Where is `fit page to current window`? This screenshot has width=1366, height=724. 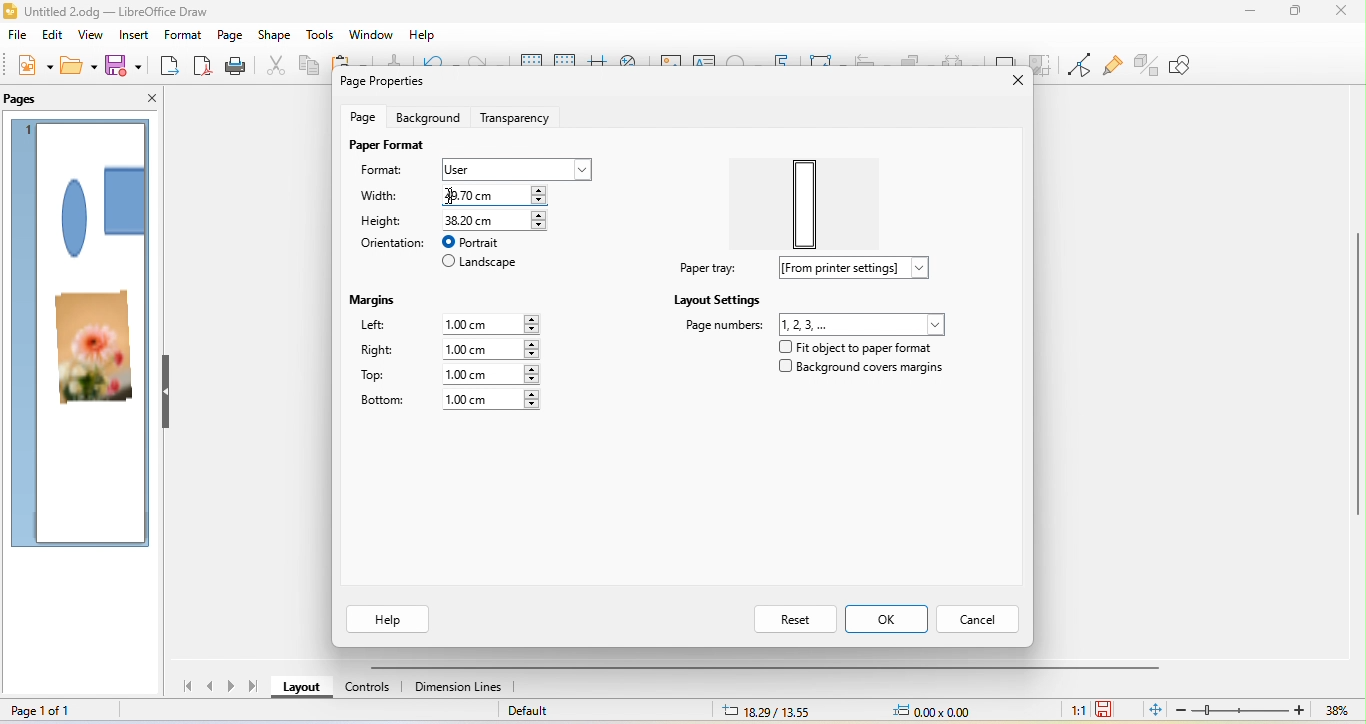
fit page to current window is located at coordinates (1152, 711).